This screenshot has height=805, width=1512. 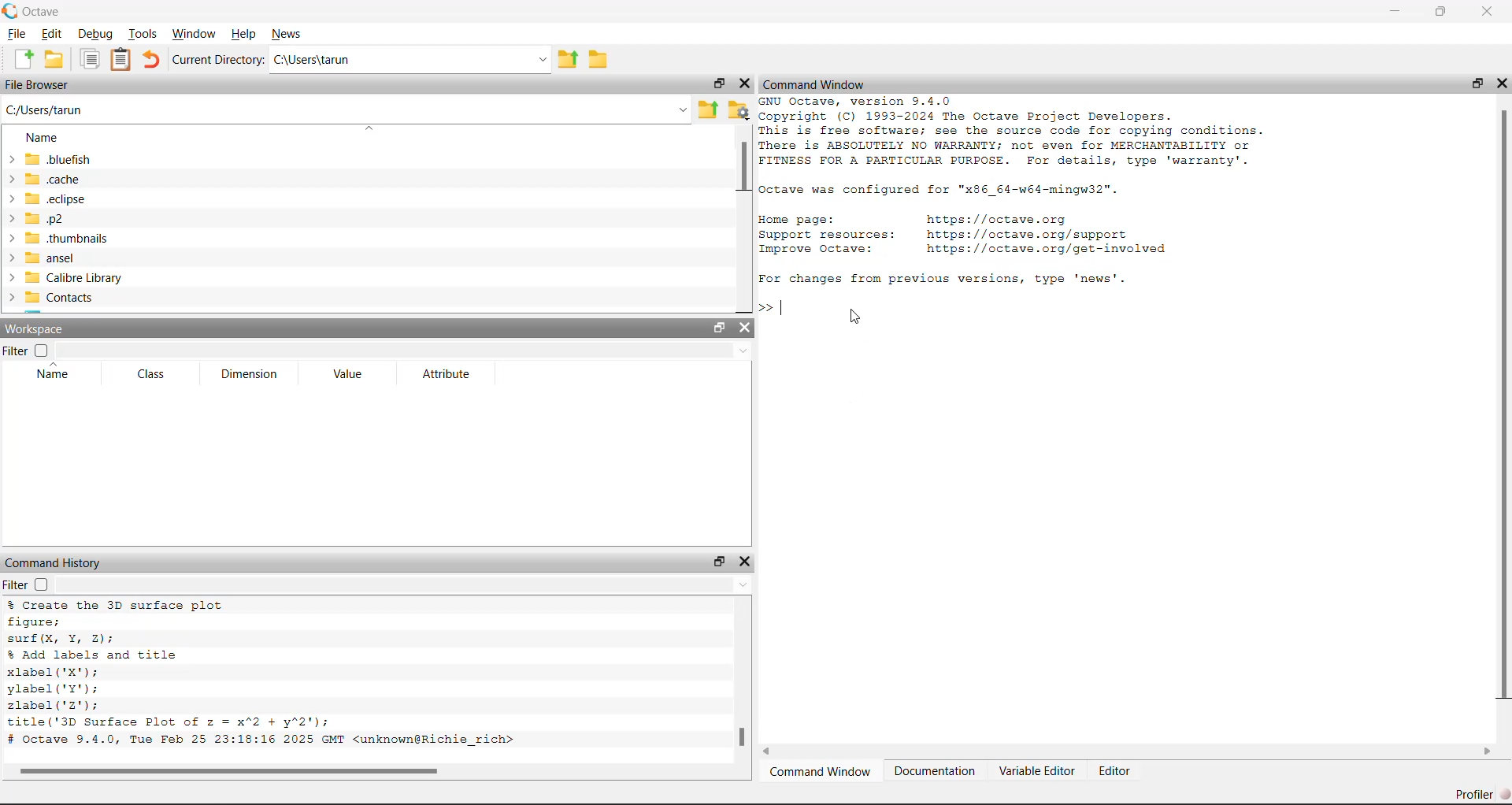 I want to click on Cursor, so click(x=854, y=315).